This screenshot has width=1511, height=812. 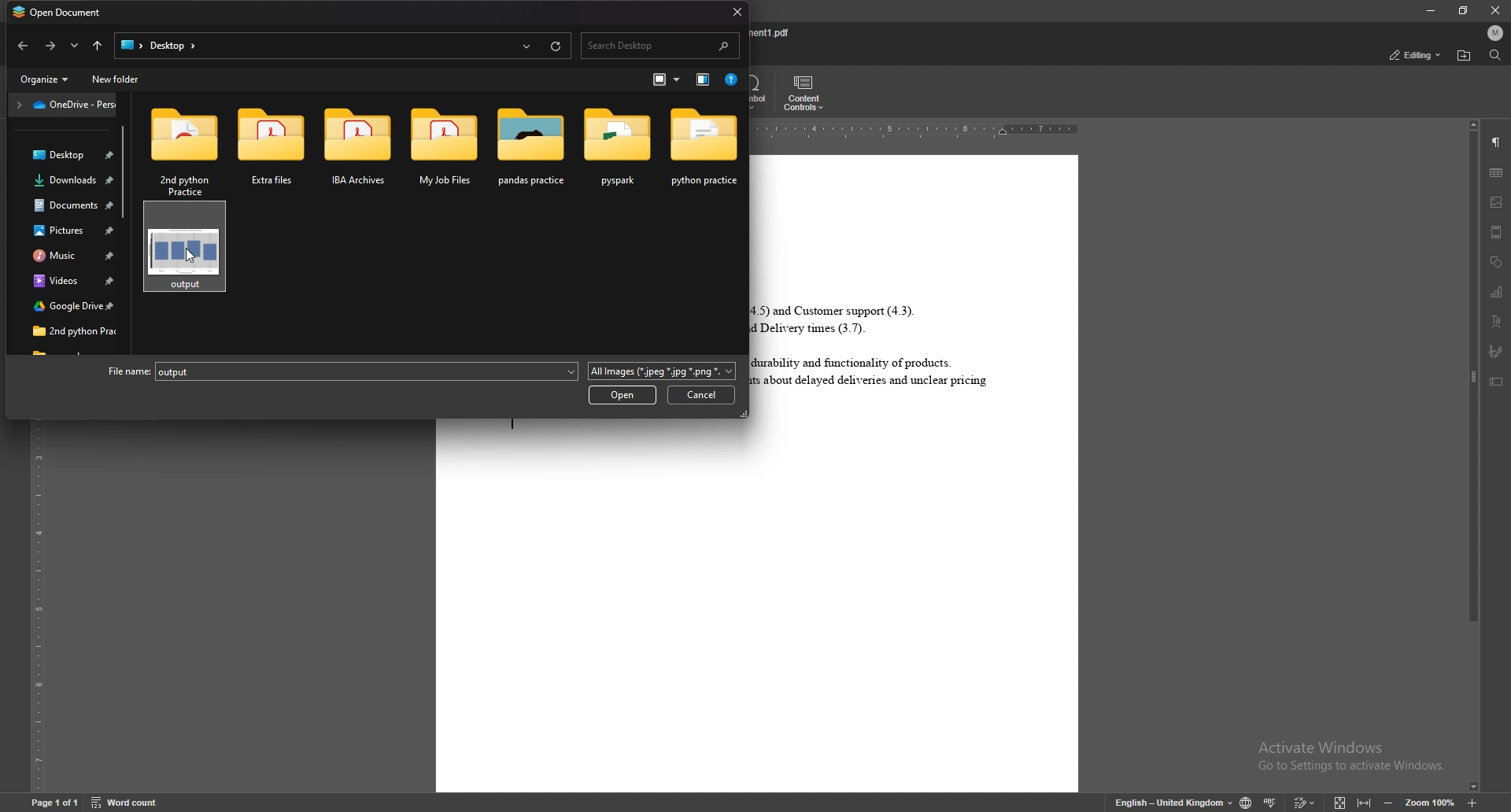 I want to click on locate file, so click(x=1465, y=55).